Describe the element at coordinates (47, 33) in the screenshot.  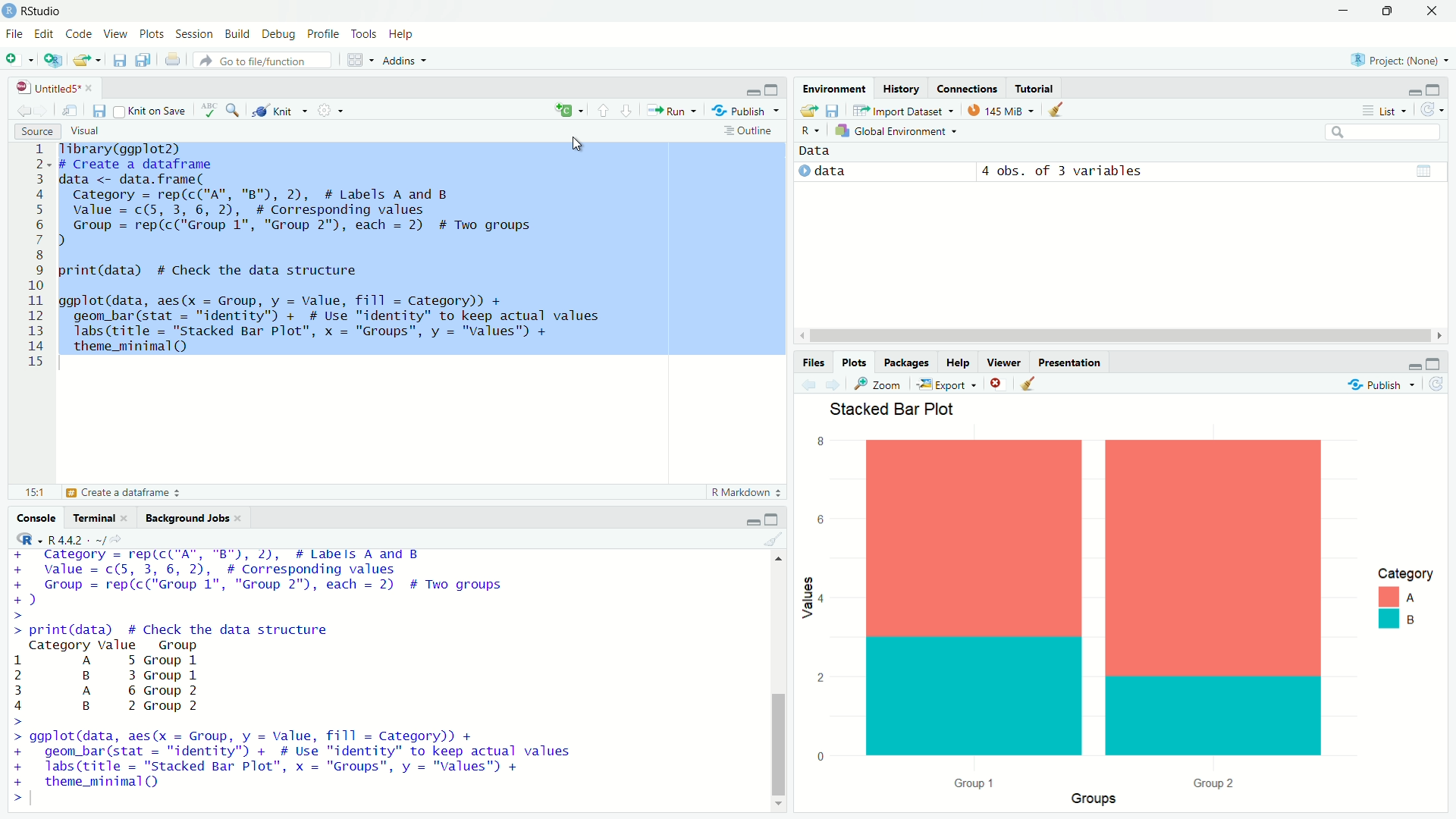
I see `Edit` at that location.